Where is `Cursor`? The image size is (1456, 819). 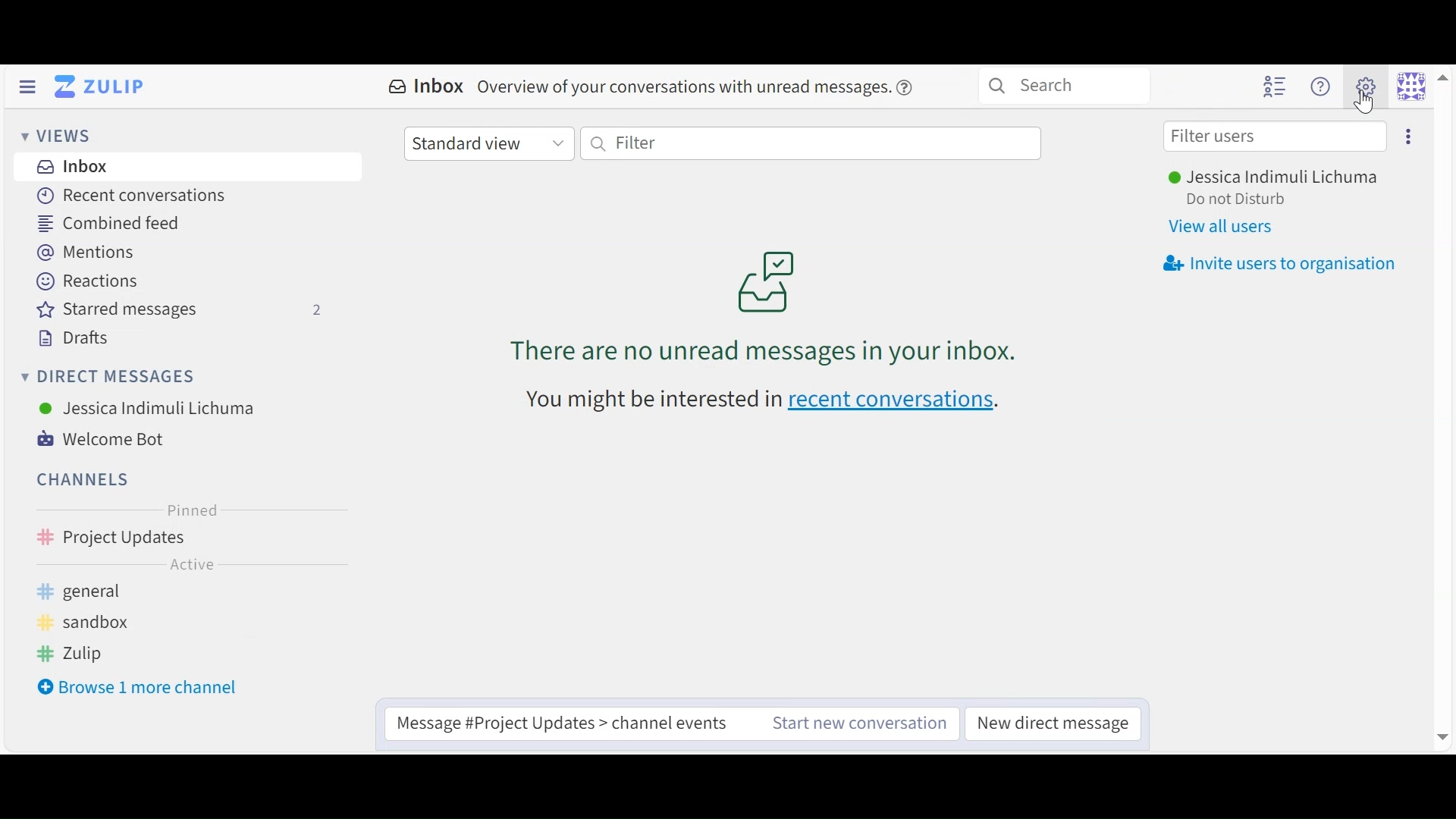 Cursor is located at coordinates (1370, 104).